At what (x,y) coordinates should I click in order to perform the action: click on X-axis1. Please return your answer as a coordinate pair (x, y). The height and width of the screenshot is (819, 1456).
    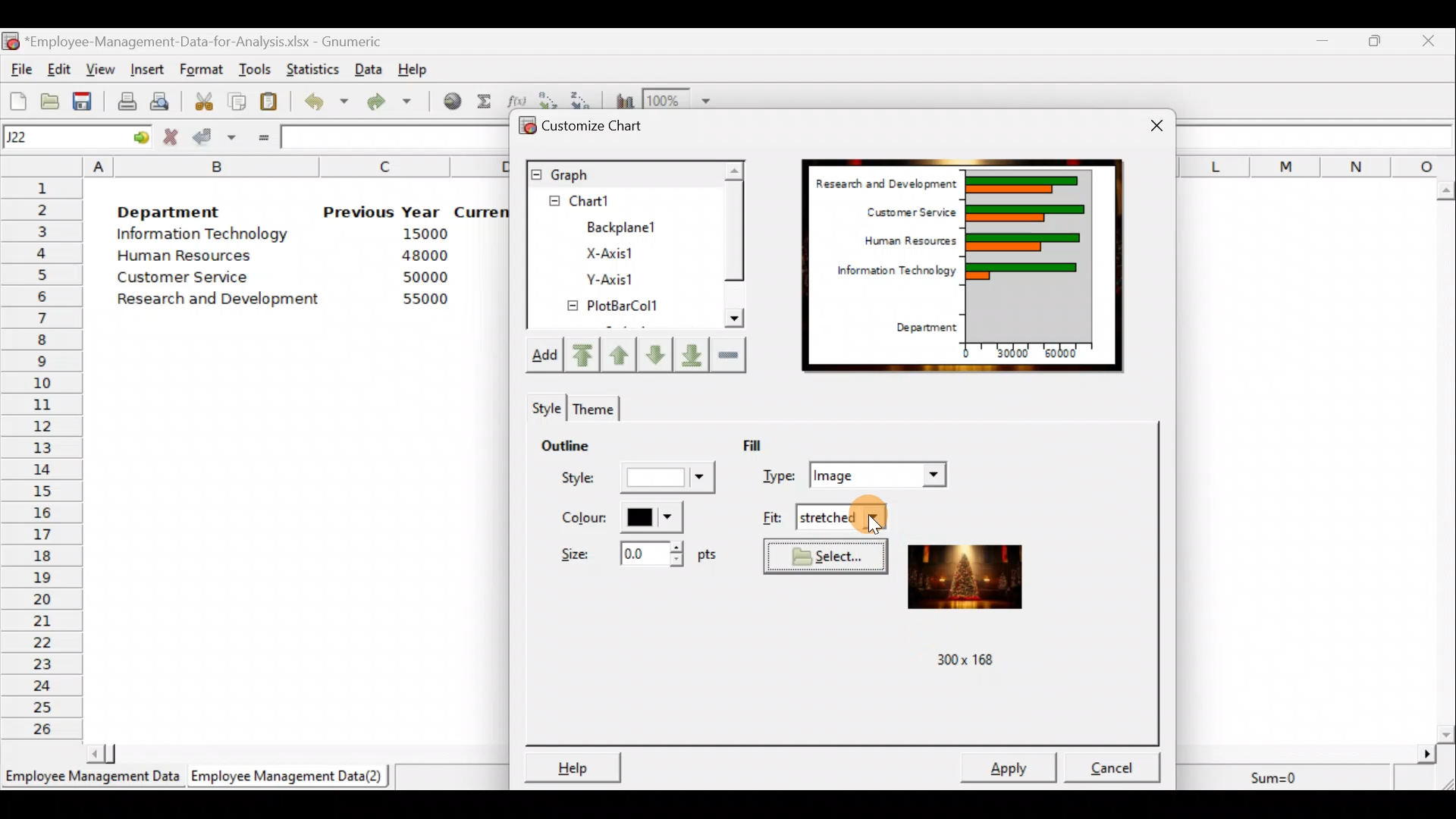
    Looking at the image, I should click on (620, 251).